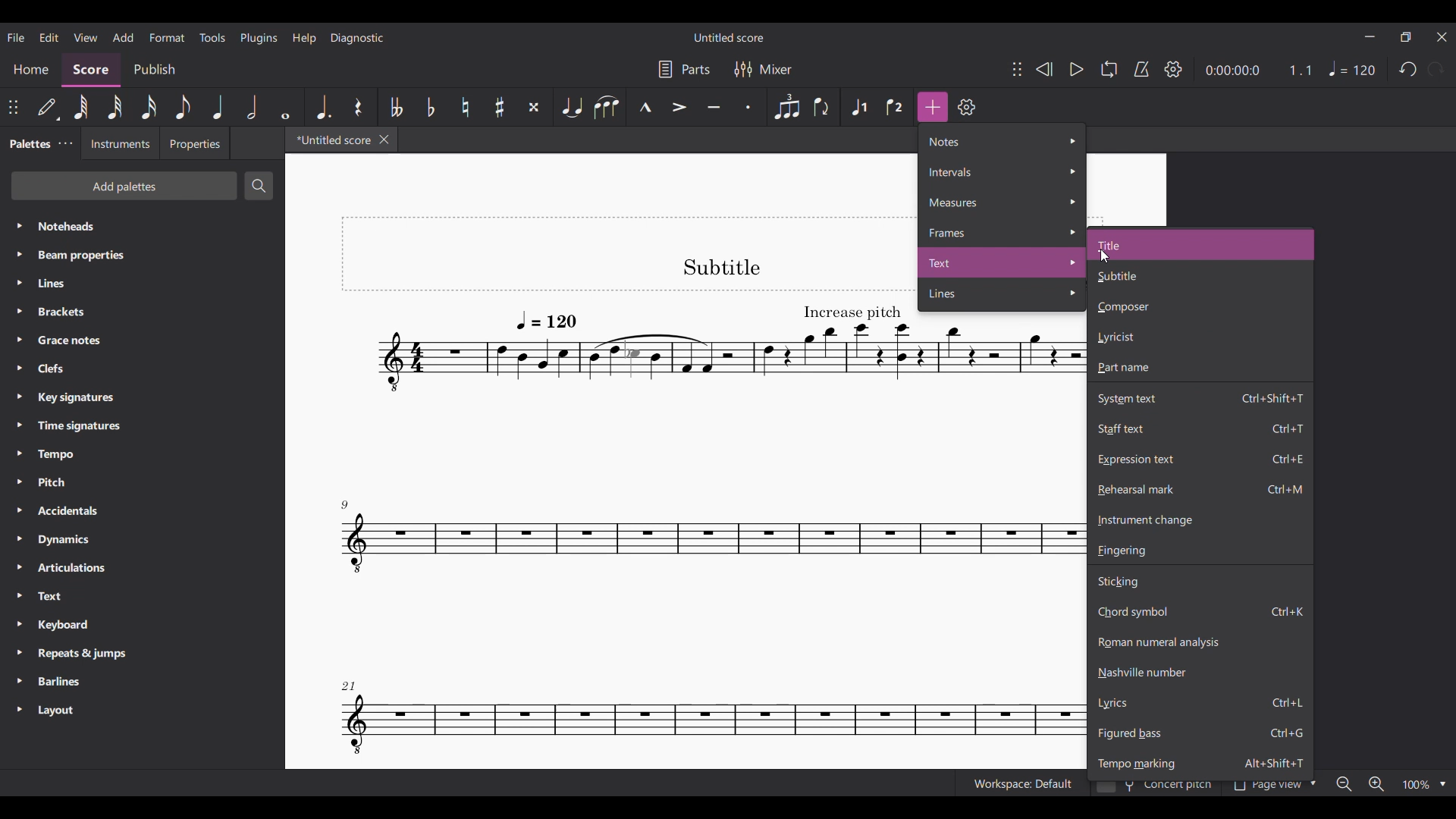 The width and height of the screenshot is (1456, 819). Describe the element at coordinates (1003, 295) in the screenshot. I see `Lines option` at that location.